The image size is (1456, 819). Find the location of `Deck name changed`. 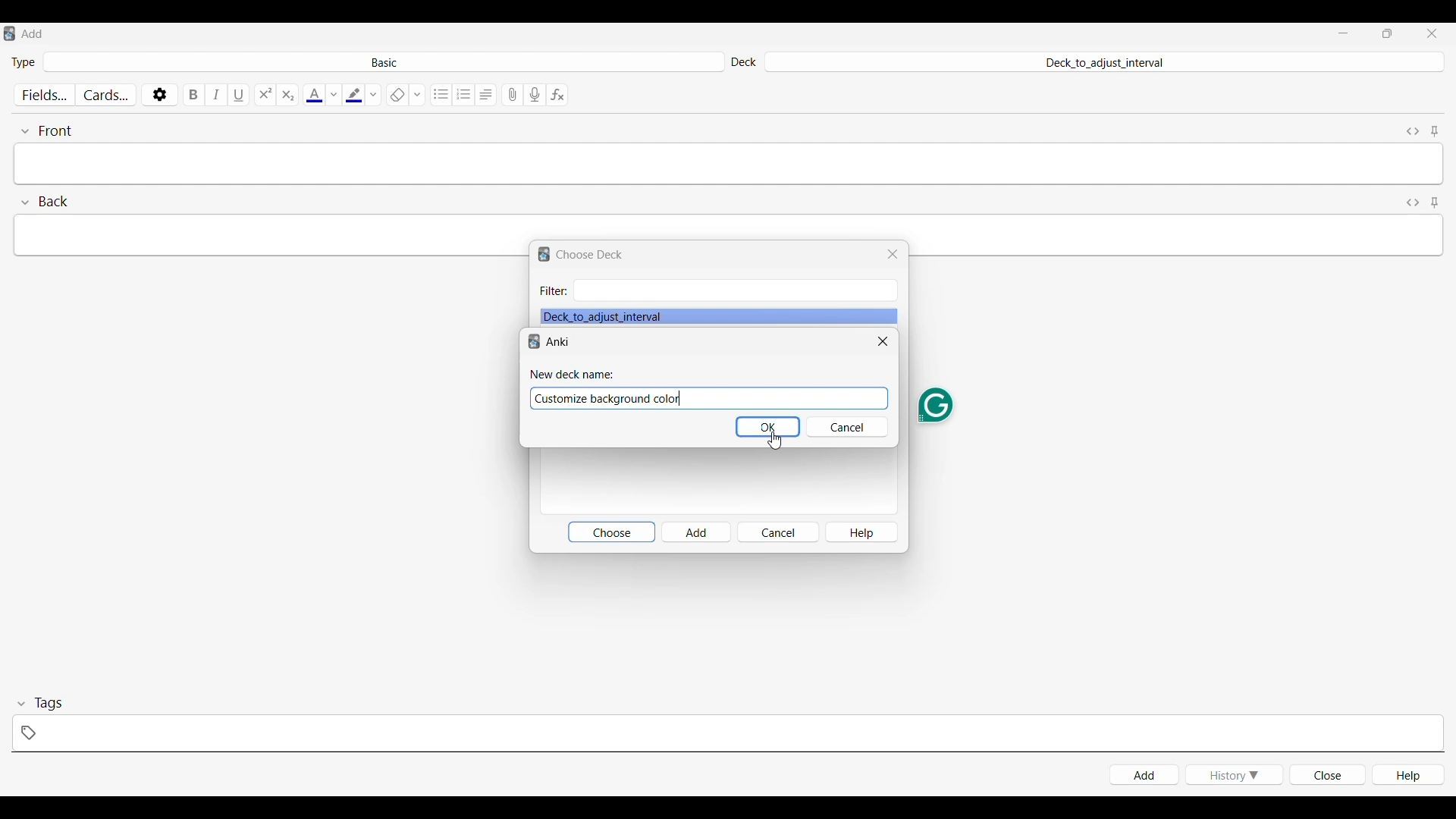

Deck name changed is located at coordinates (612, 398).